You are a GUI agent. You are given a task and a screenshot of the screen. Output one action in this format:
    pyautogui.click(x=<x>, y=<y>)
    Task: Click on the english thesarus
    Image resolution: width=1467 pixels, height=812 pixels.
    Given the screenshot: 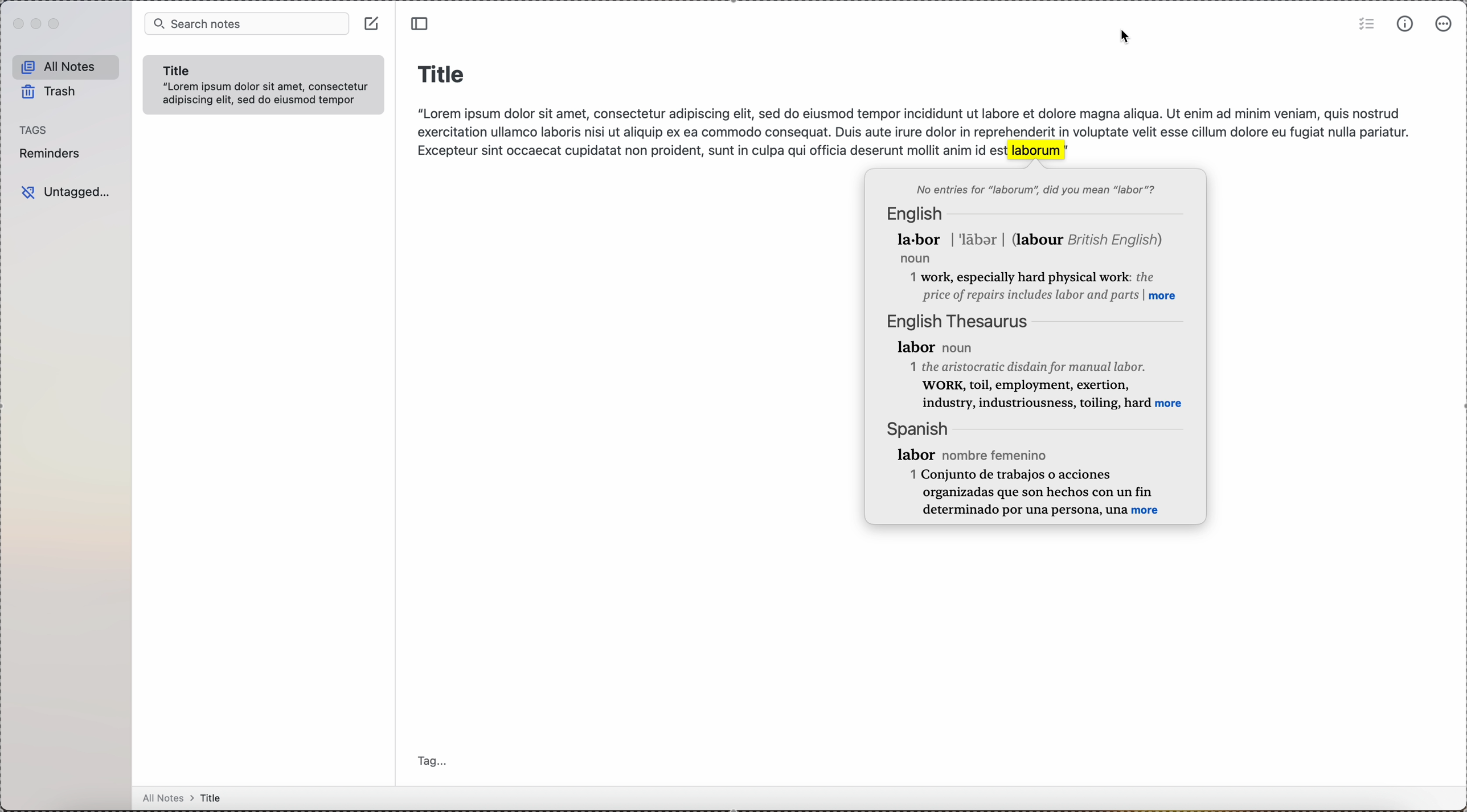 What is the action you would take?
    pyautogui.click(x=1039, y=363)
    